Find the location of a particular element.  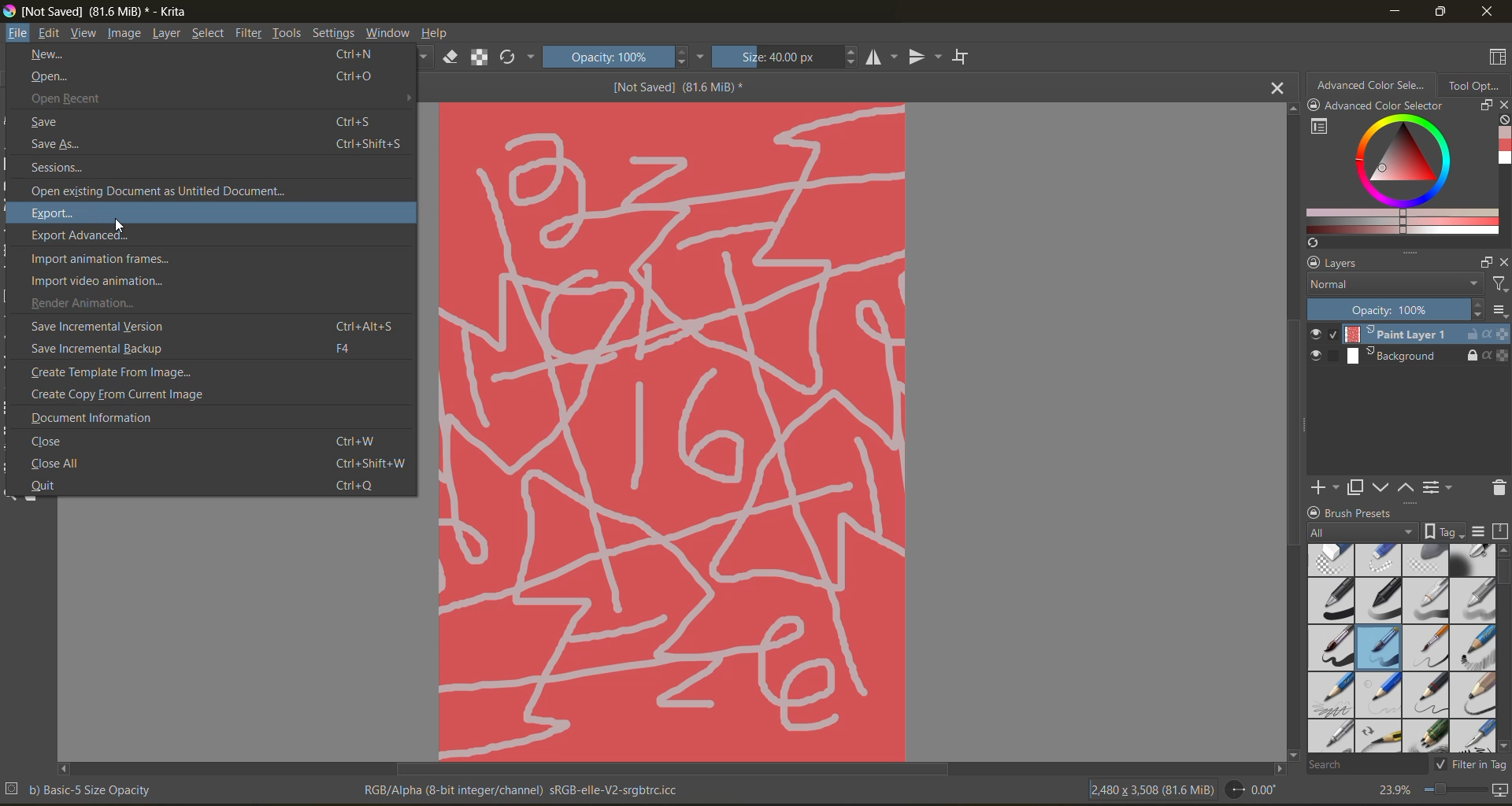

add is located at coordinates (1322, 486).